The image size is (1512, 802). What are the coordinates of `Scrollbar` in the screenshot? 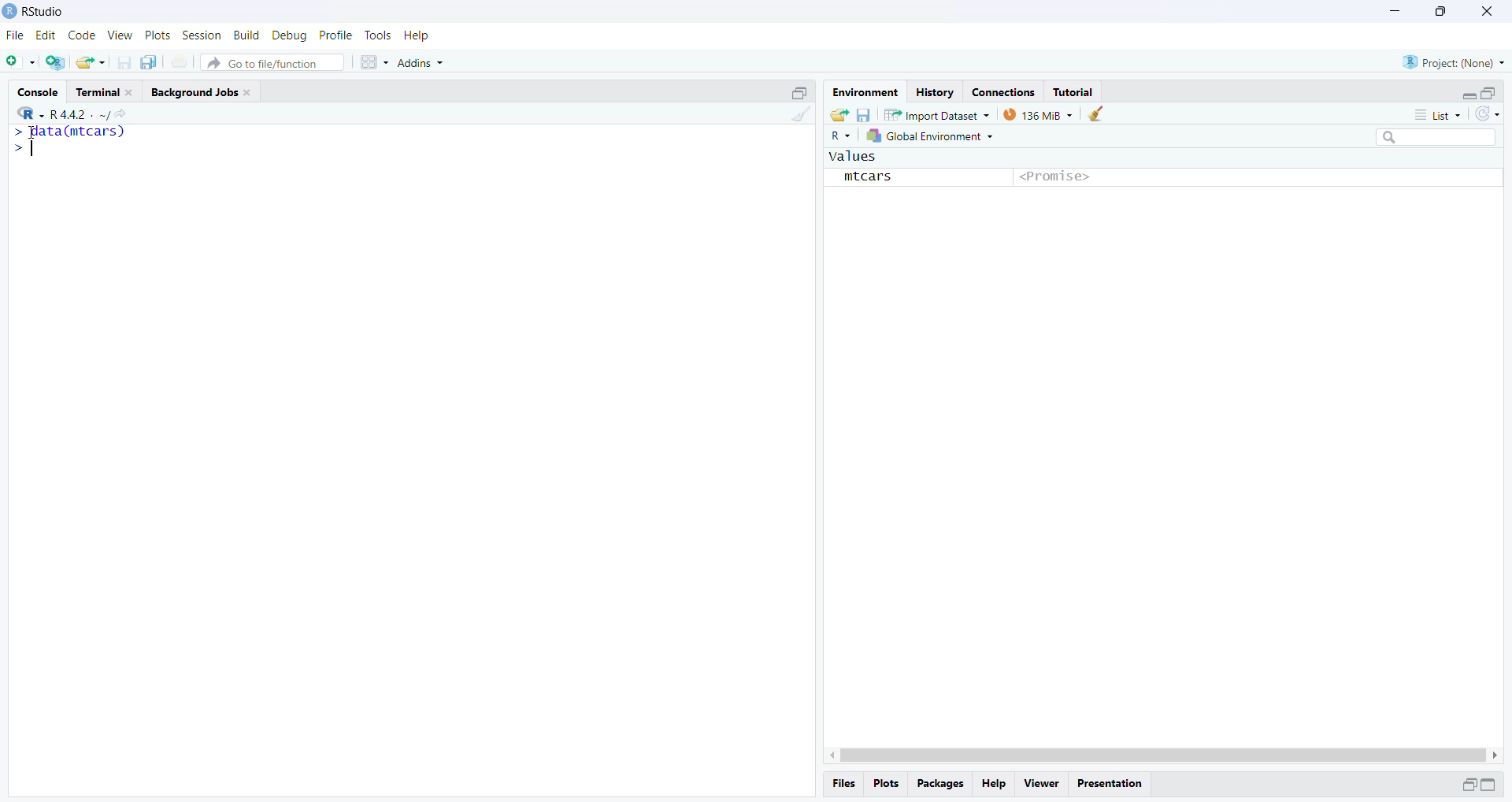 It's located at (1160, 753).